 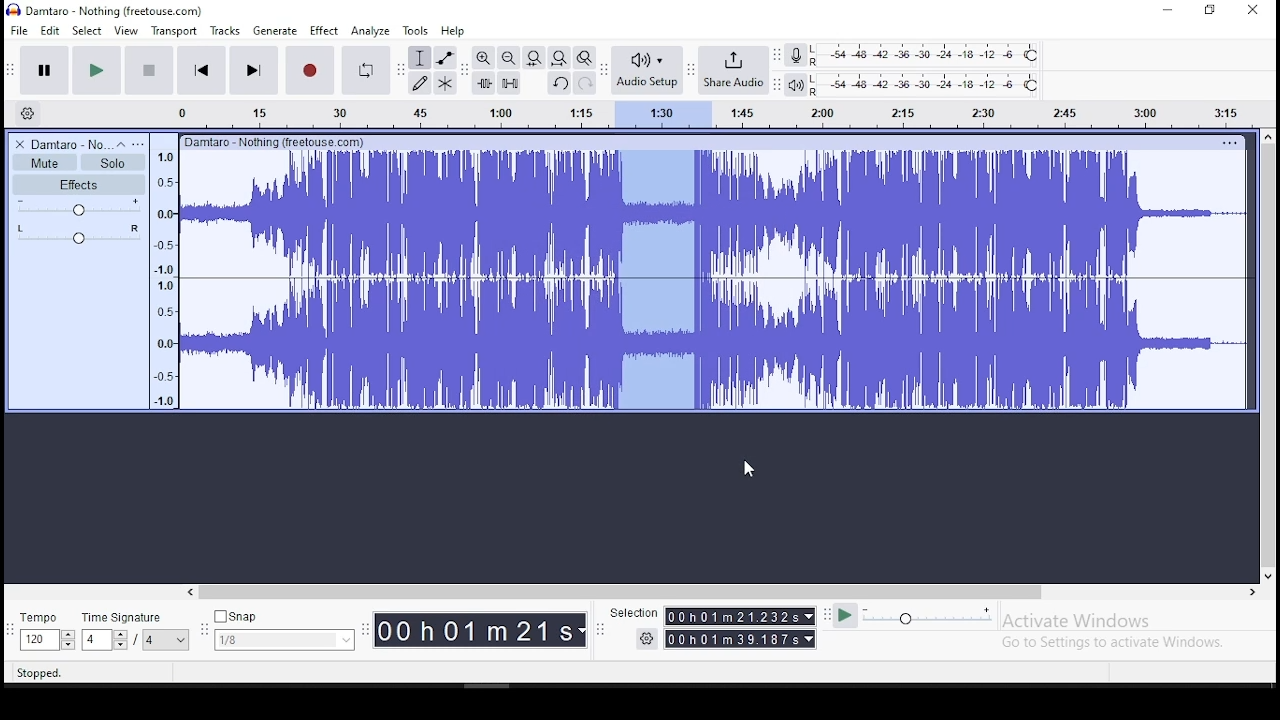 What do you see at coordinates (107, 10) in the screenshot?
I see `) Damtaro - Nothing (freetouse.com)` at bounding box center [107, 10].